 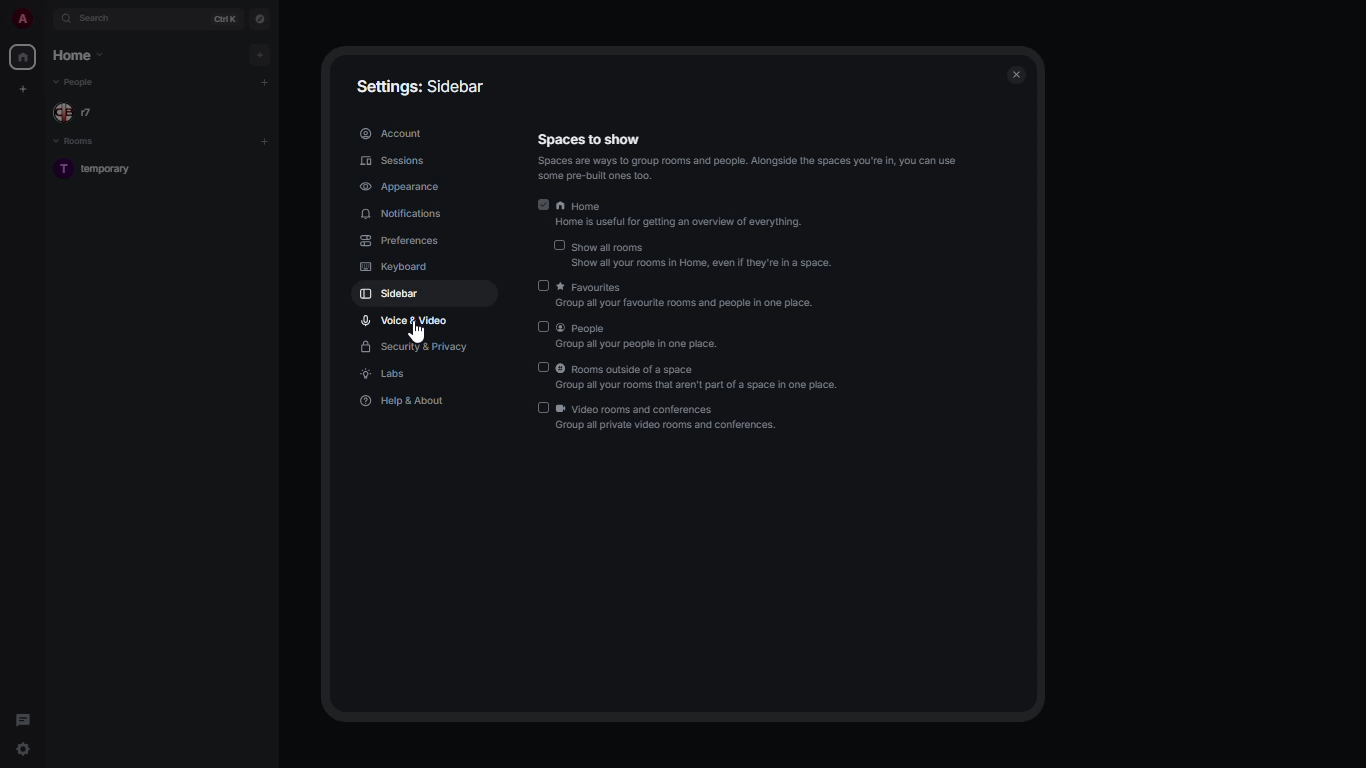 I want to click on disabled, so click(x=541, y=409).